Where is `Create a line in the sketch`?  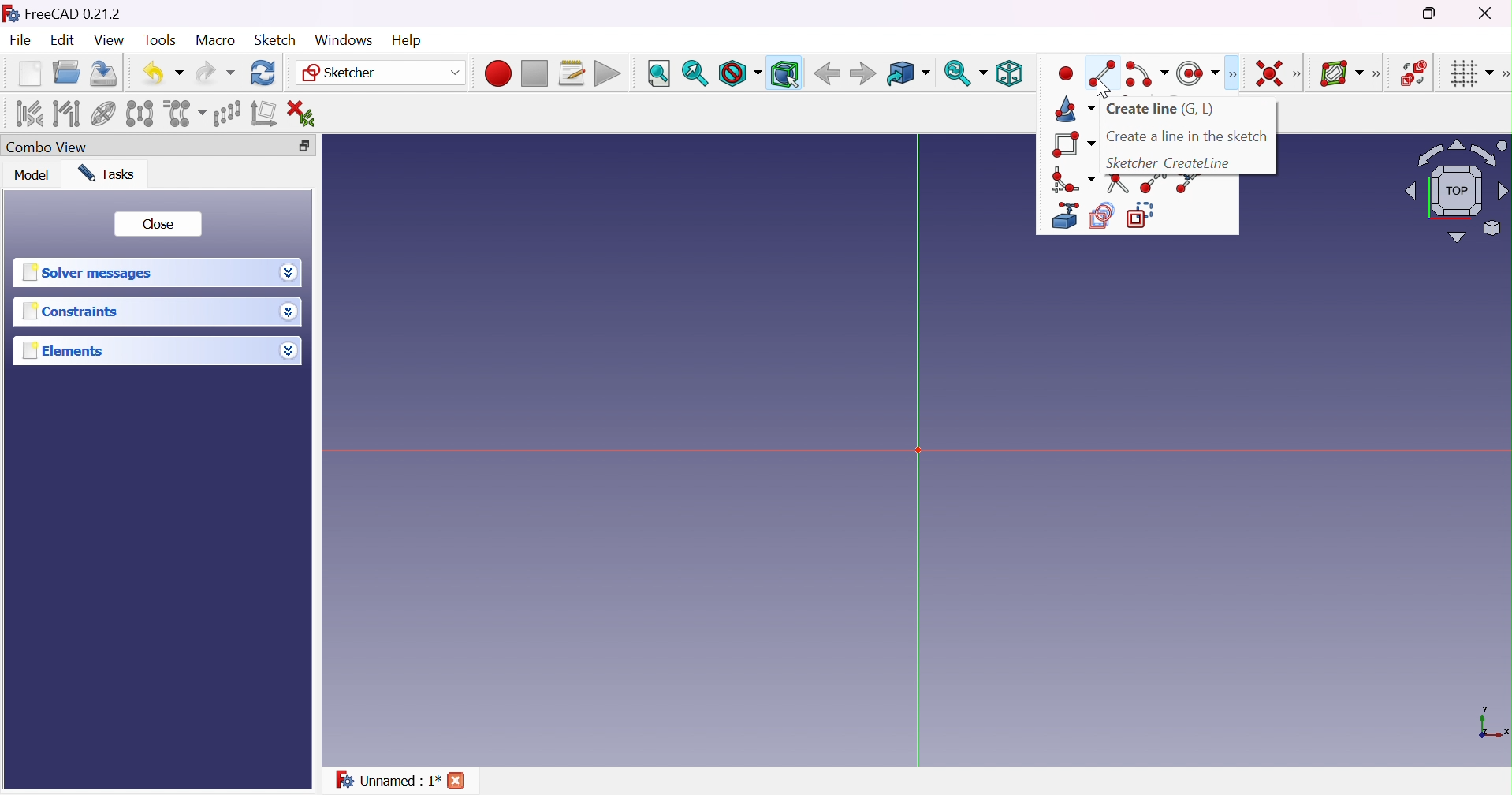
Create a line in the sketch is located at coordinates (1187, 136).